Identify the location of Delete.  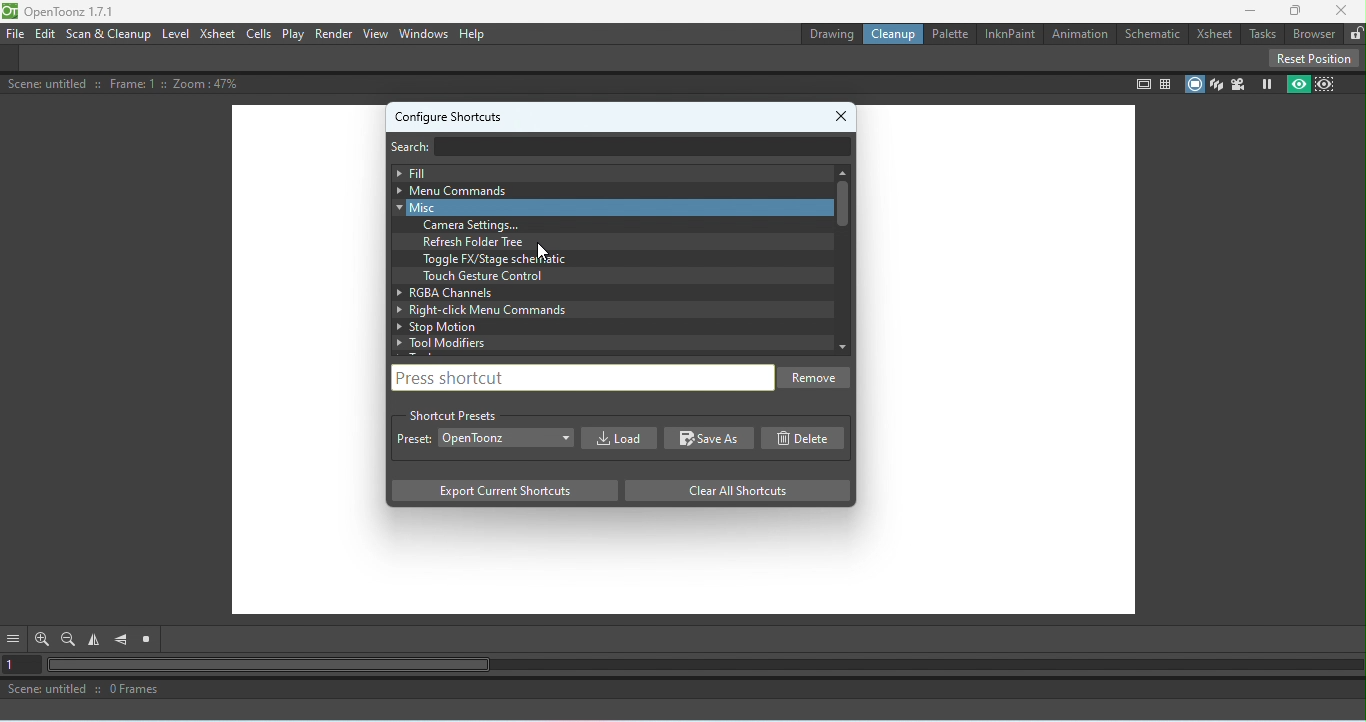
(808, 438).